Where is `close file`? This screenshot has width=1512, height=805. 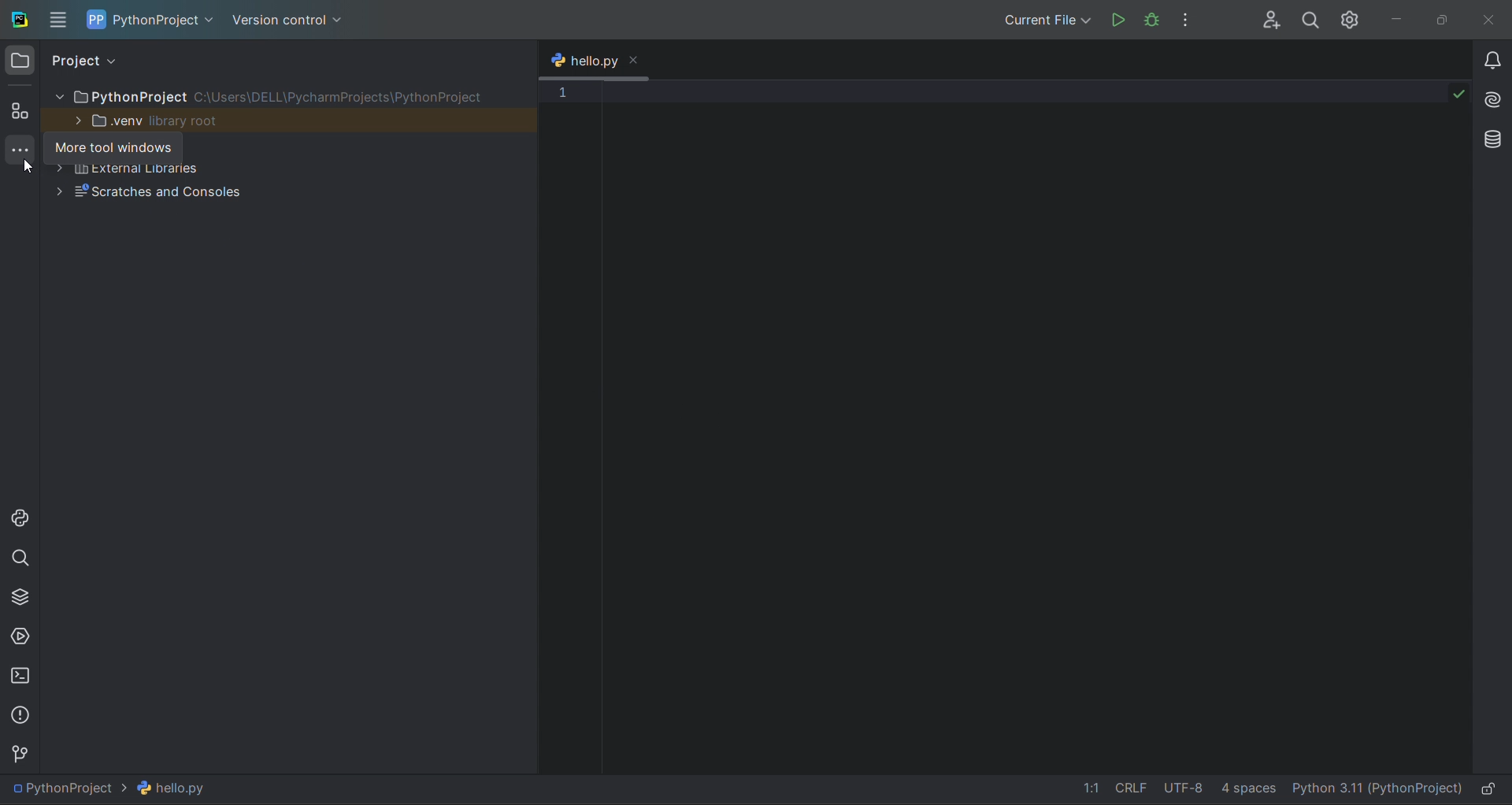
close file is located at coordinates (636, 61).